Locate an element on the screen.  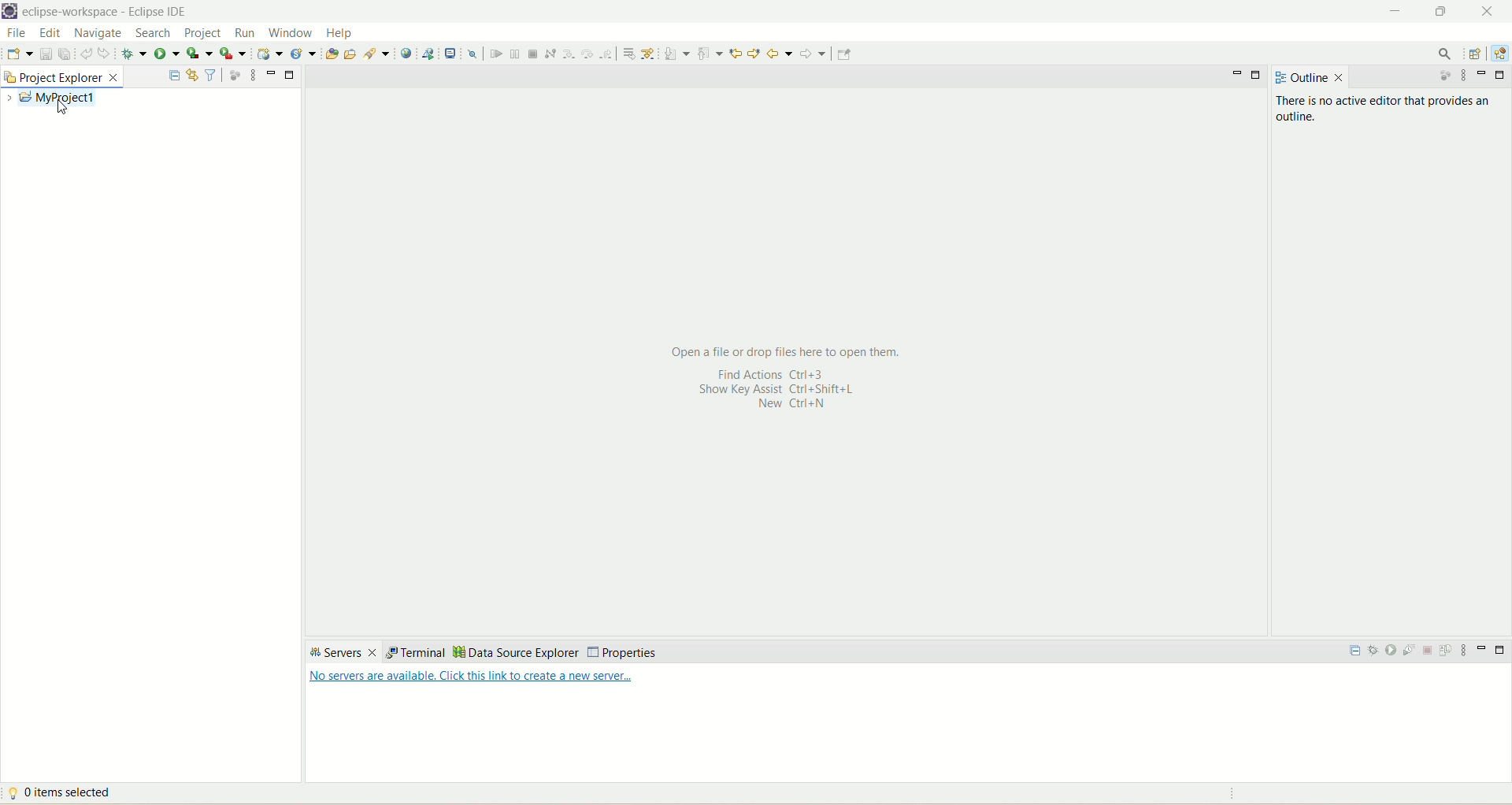
minimize is located at coordinates (1235, 74).